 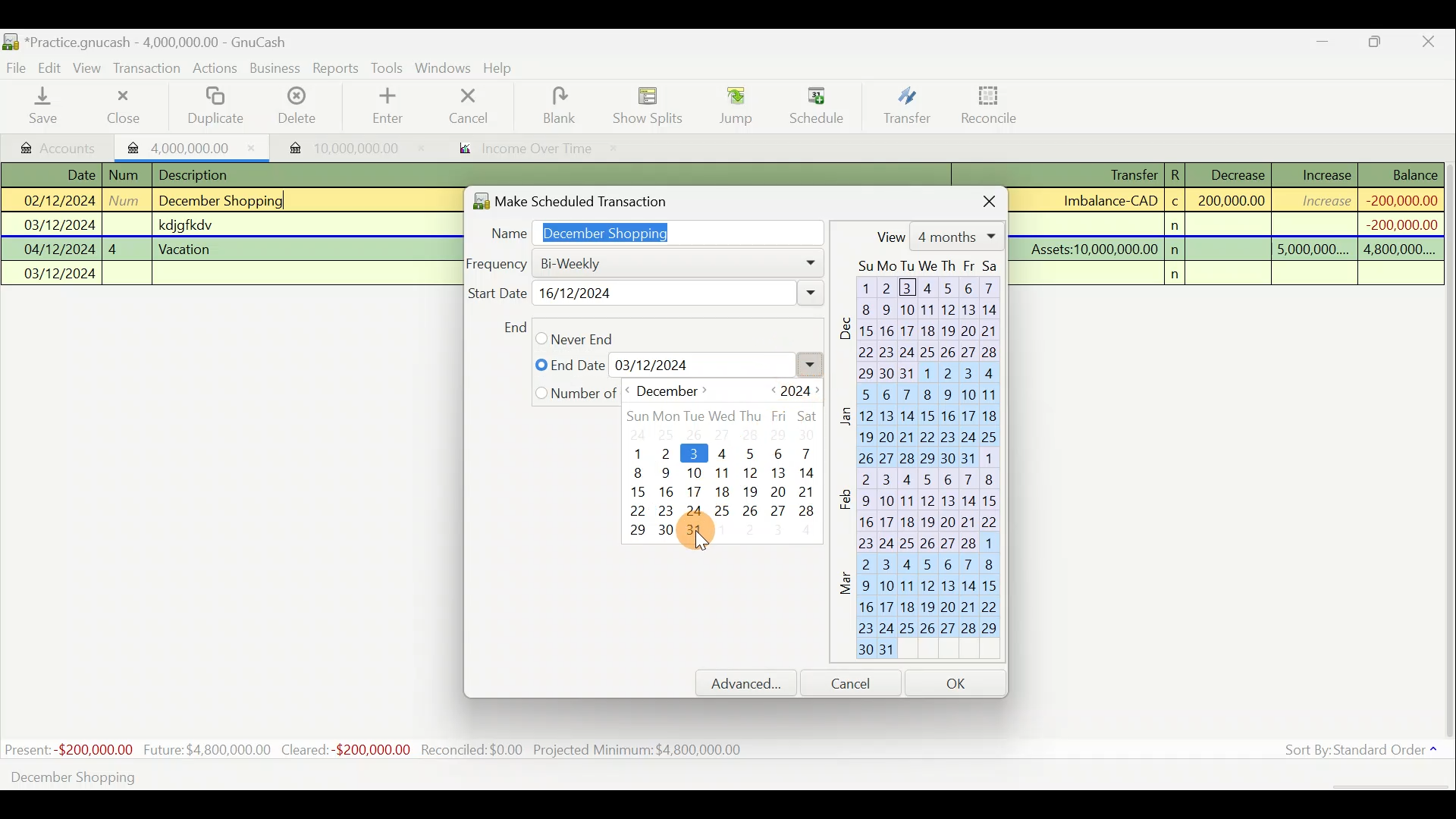 I want to click on Show splits, so click(x=652, y=105).